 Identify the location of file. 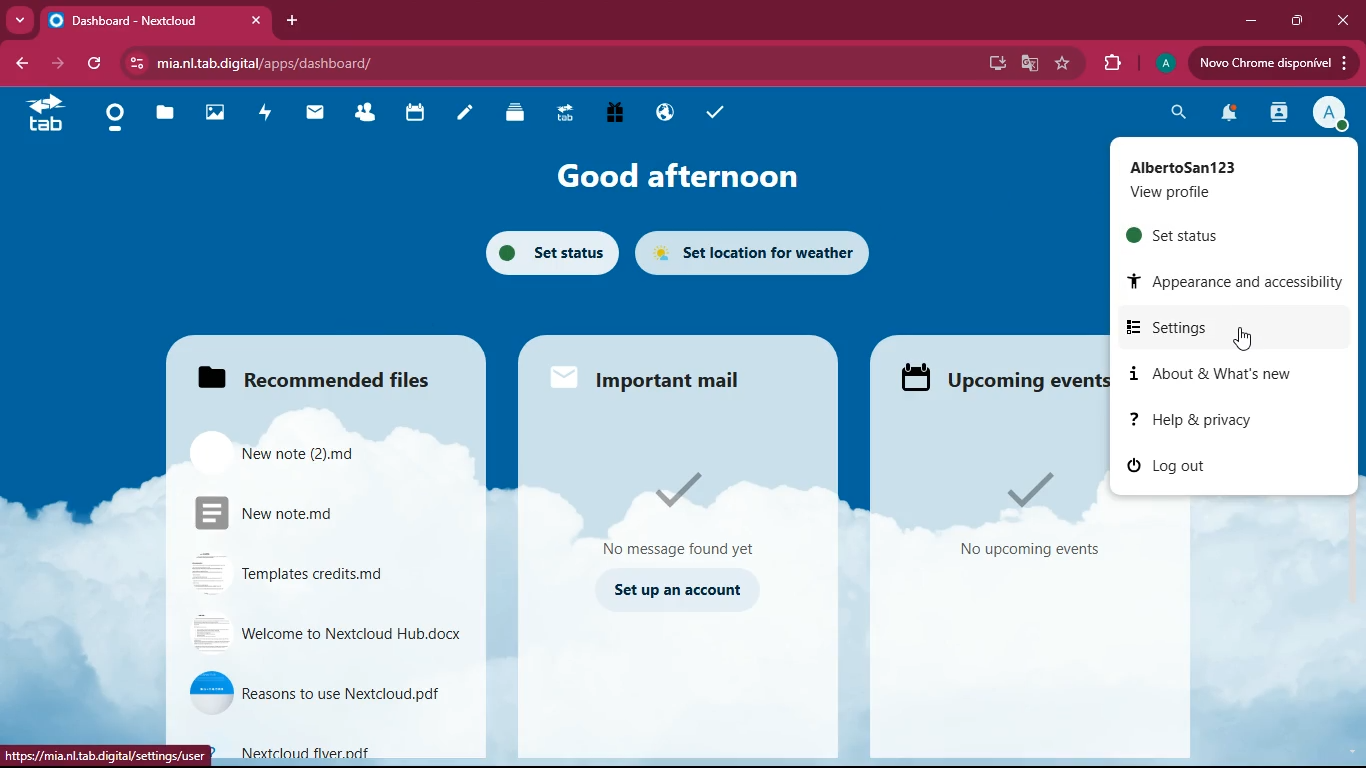
(323, 692).